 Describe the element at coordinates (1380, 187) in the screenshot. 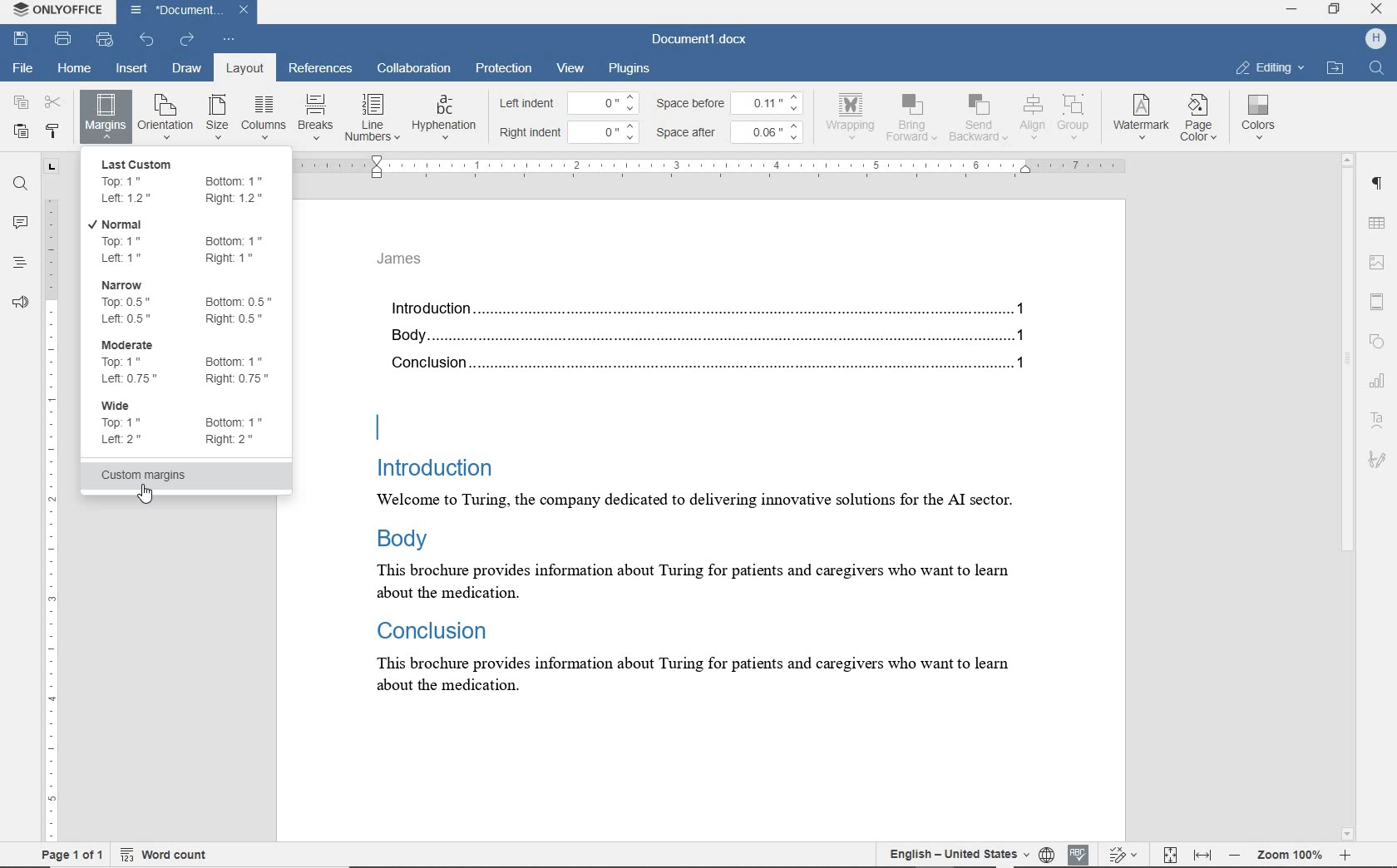

I see `paragraph settings` at that location.